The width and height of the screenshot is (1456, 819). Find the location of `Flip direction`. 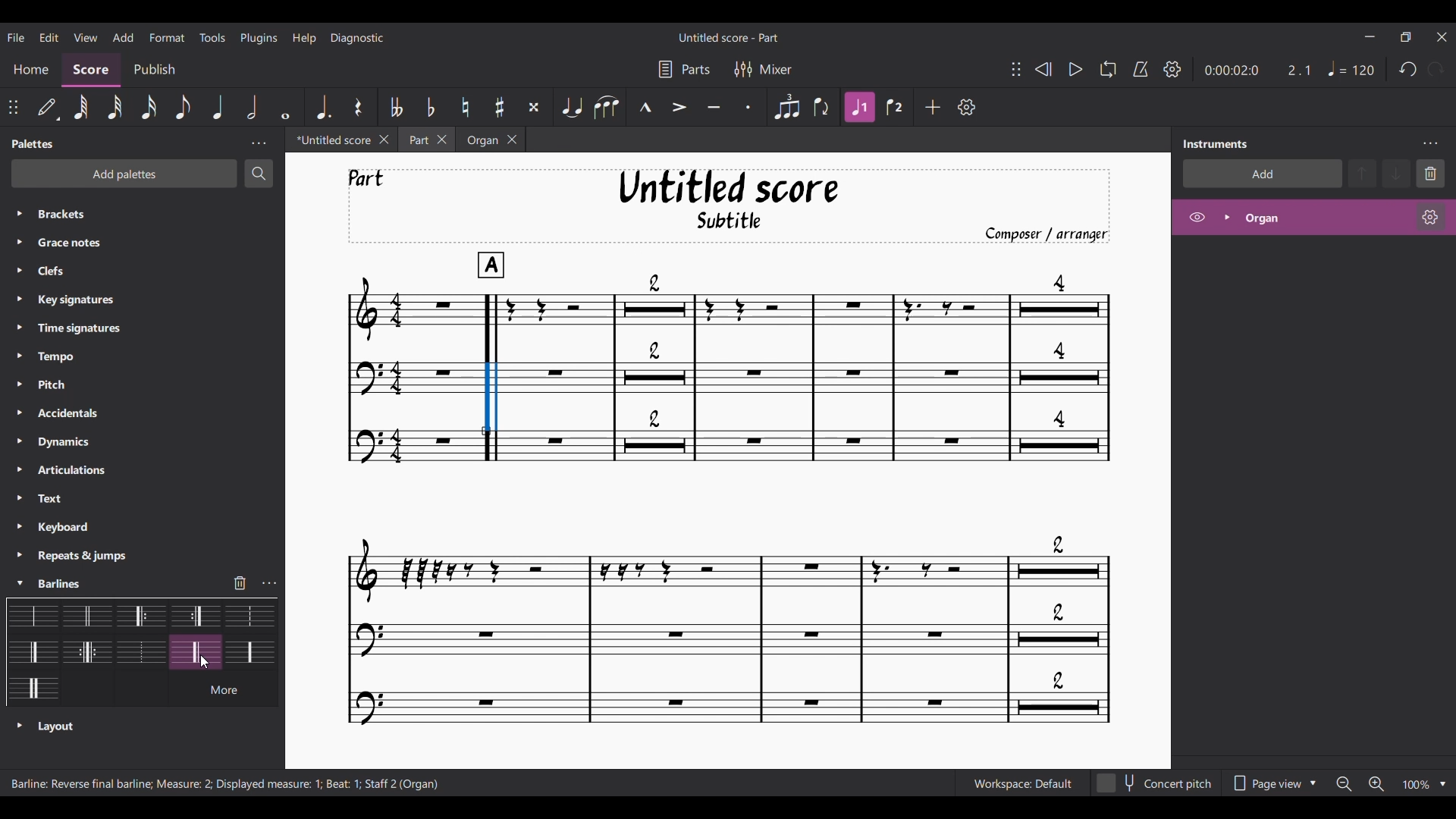

Flip direction is located at coordinates (822, 107).